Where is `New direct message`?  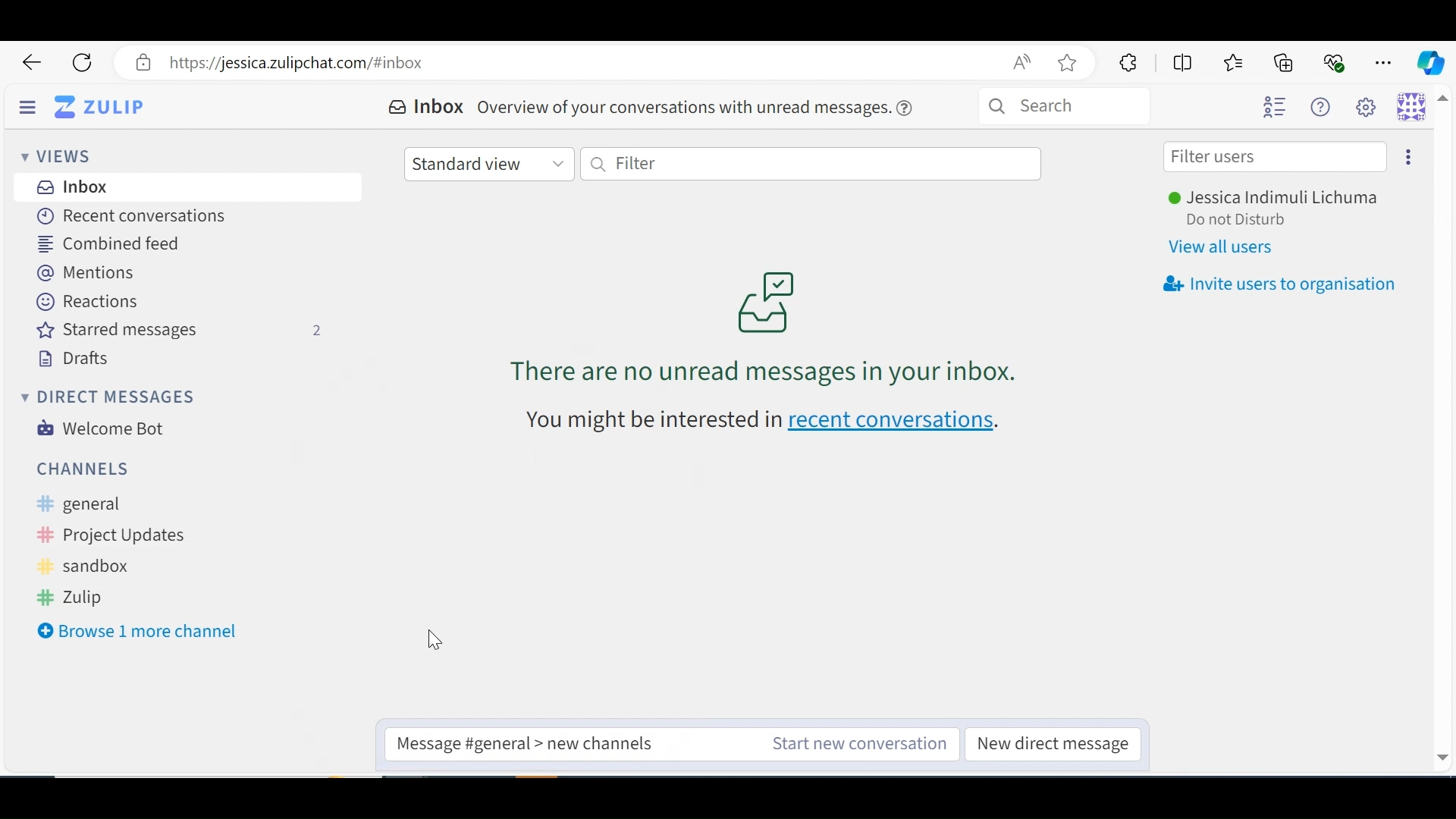
New direct message is located at coordinates (1052, 745).